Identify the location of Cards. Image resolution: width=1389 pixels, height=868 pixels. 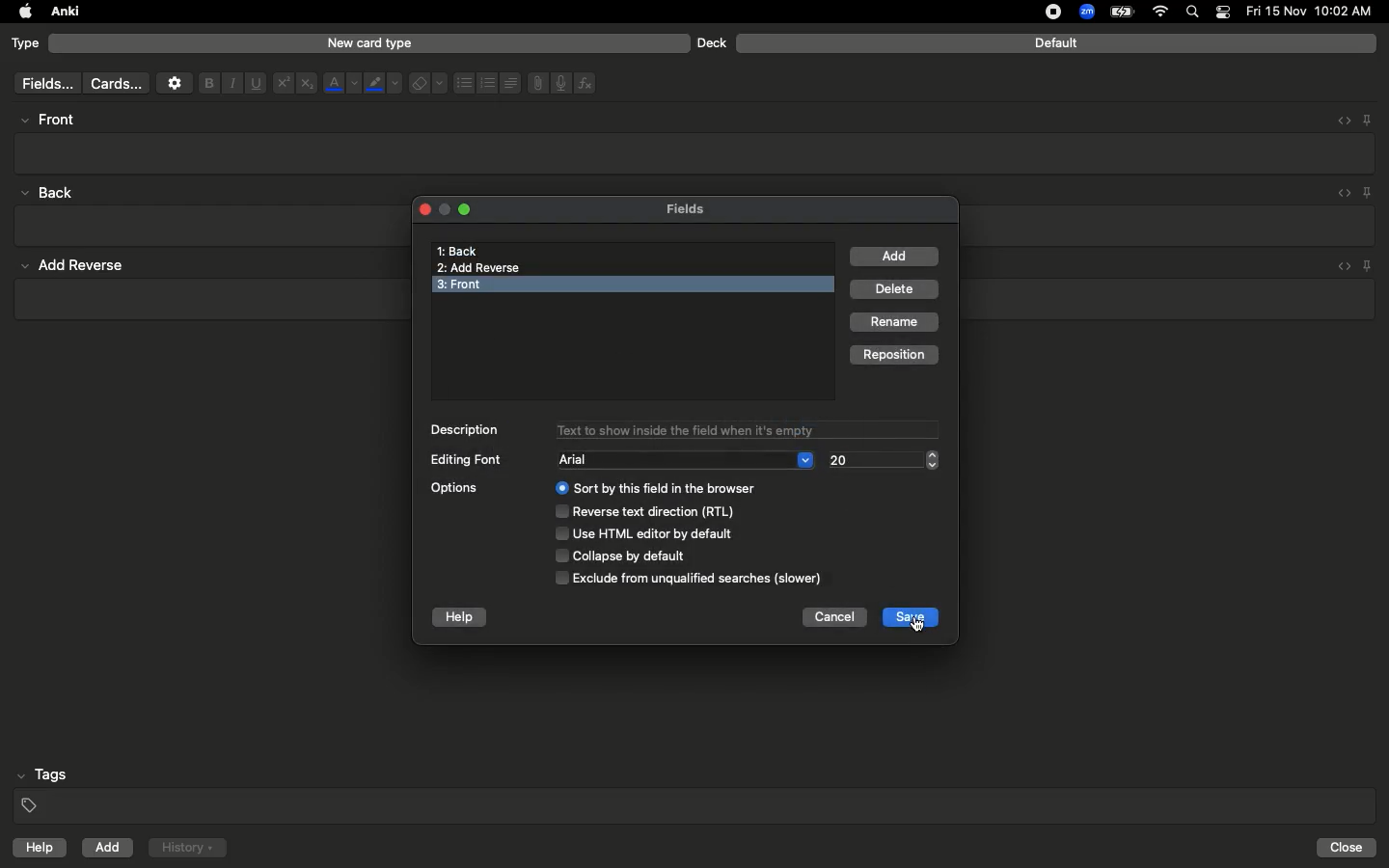
(116, 84).